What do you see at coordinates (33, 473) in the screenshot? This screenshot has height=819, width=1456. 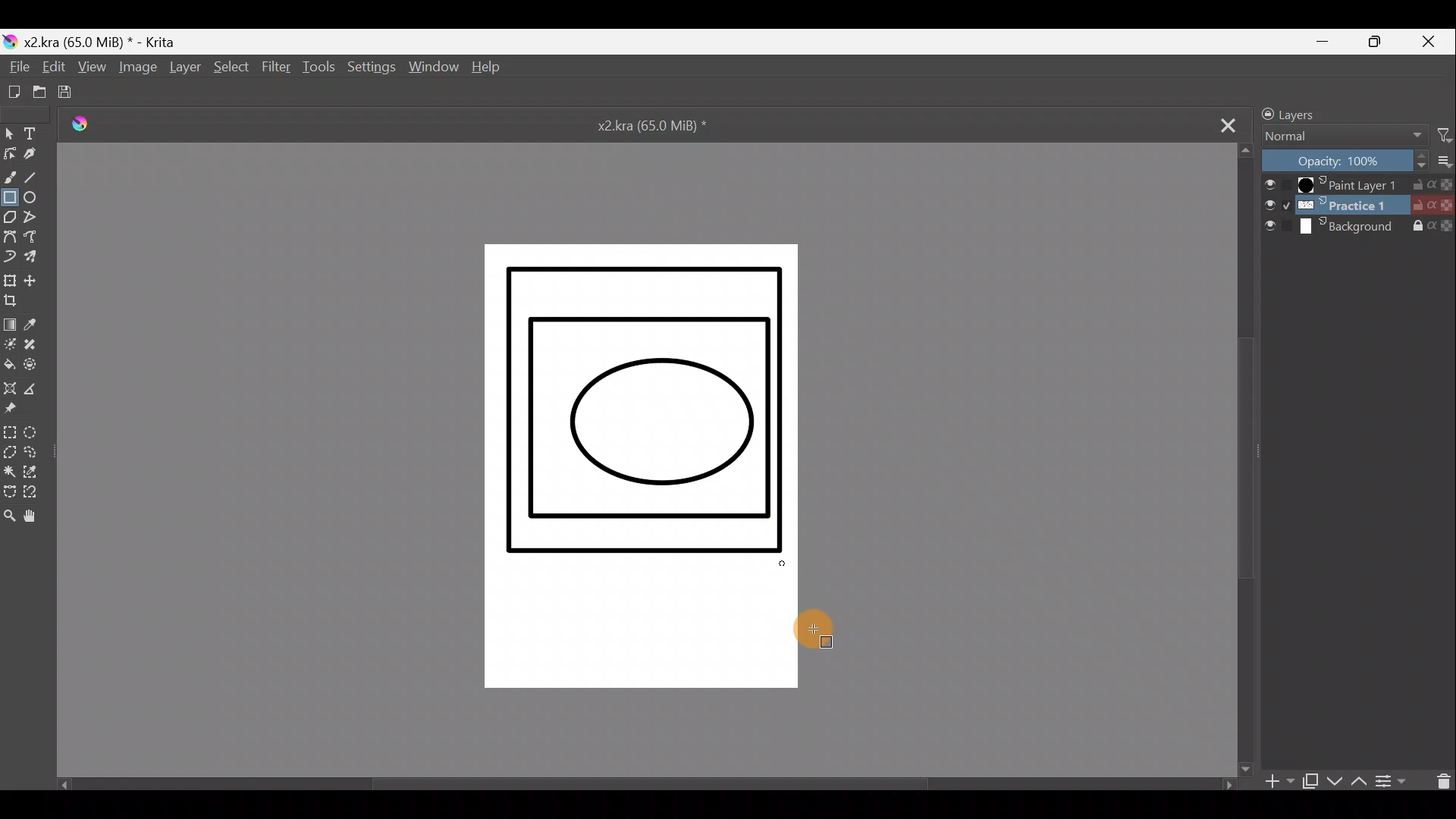 I see `Similar colour selection tool` at bounding box center [33, 473].